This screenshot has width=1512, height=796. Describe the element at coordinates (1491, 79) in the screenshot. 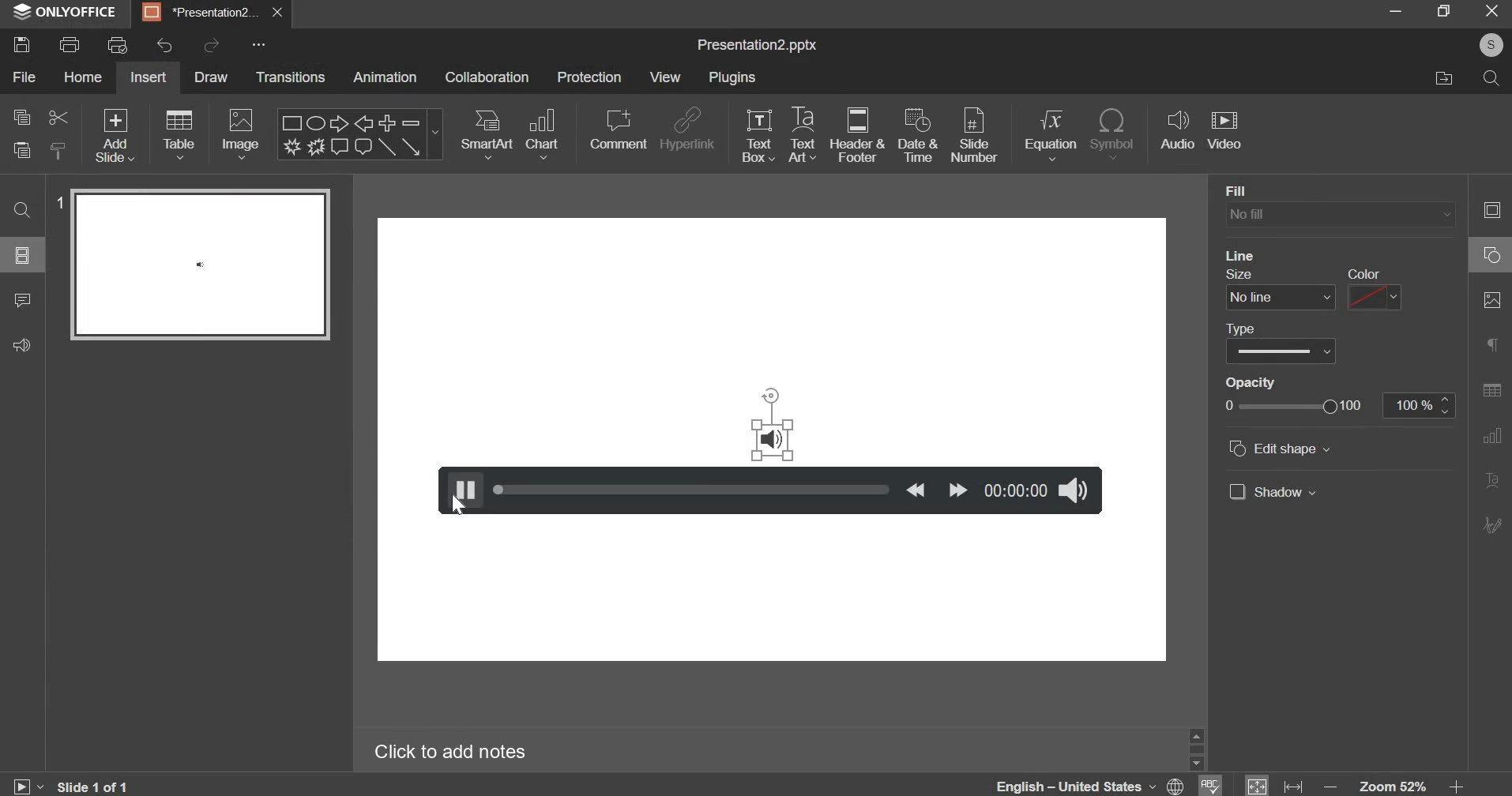

I see `search` at that location.